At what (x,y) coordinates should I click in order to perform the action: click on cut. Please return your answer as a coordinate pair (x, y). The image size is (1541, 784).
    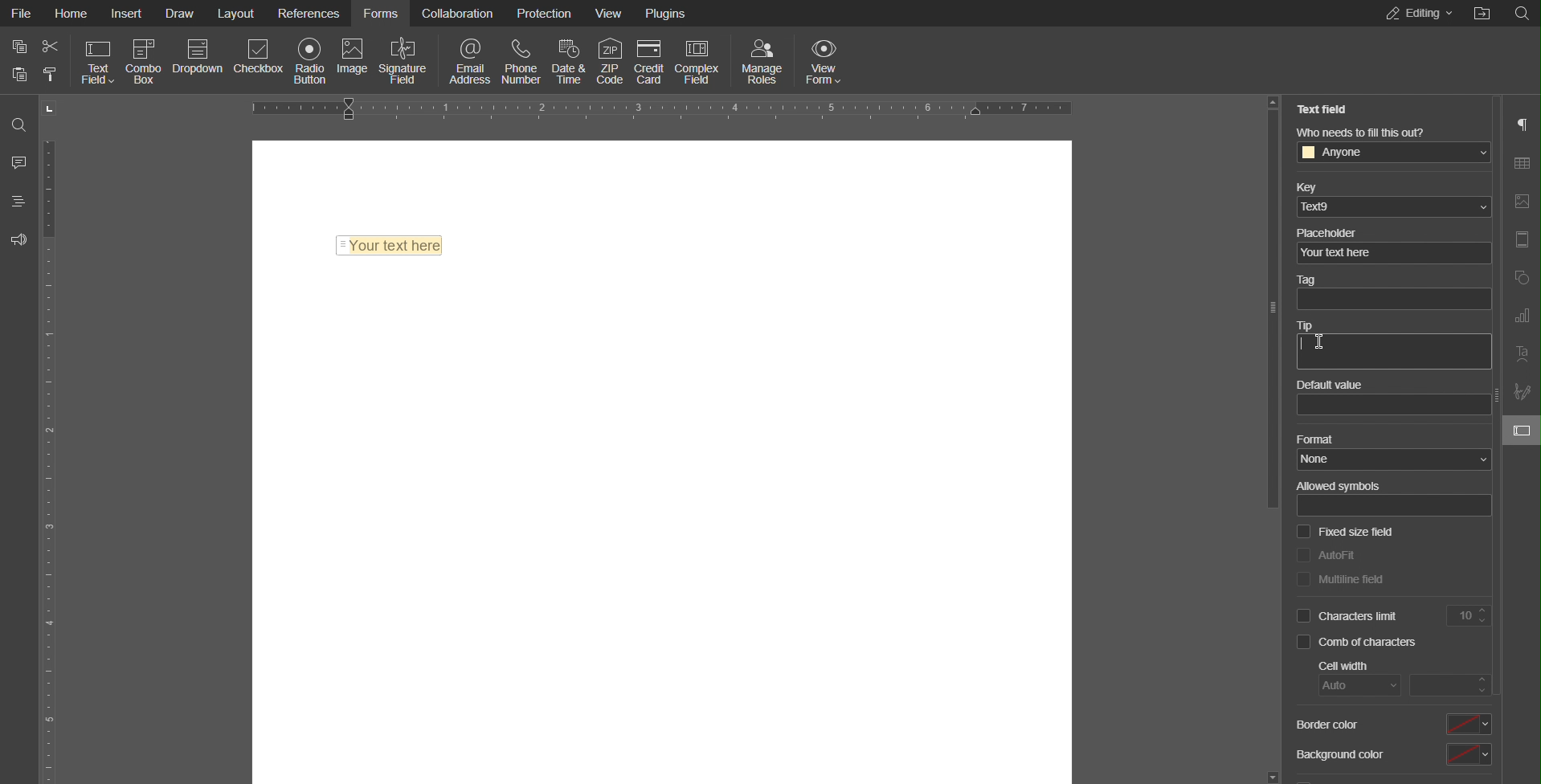
    Looking at the image, I should click on (51, 47).